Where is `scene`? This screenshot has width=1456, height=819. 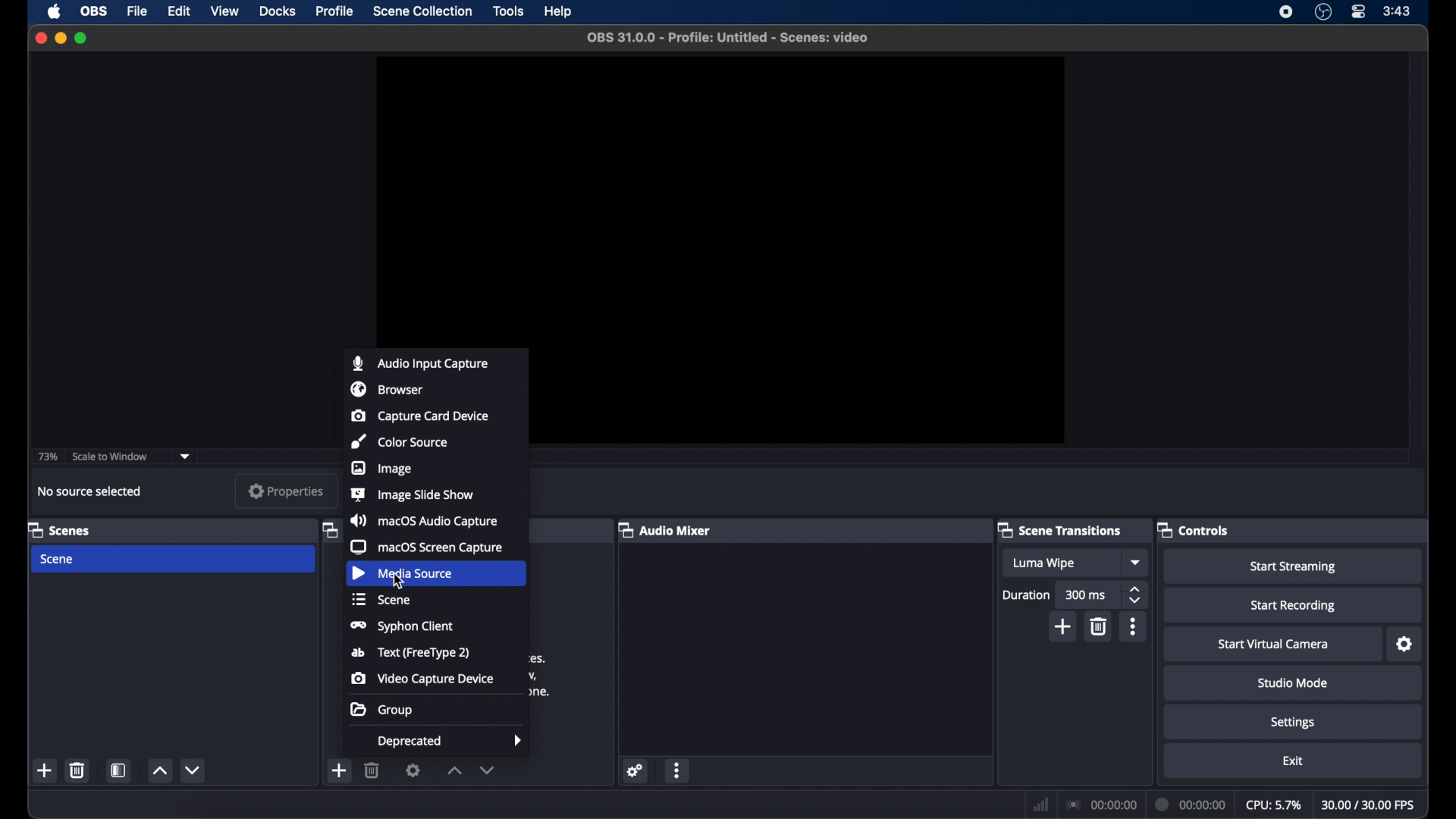
scene is located at coordinates (58, 560).